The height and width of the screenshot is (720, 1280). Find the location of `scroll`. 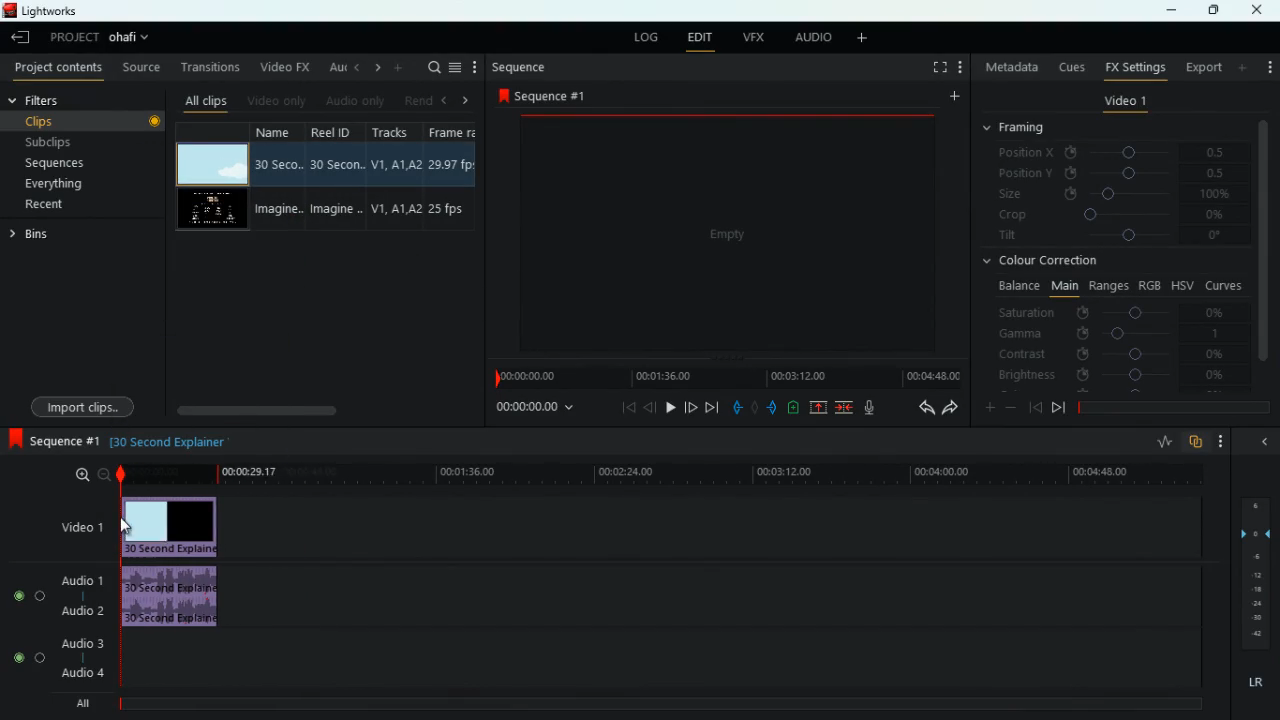

scroll is located at coordinates (319, 409).